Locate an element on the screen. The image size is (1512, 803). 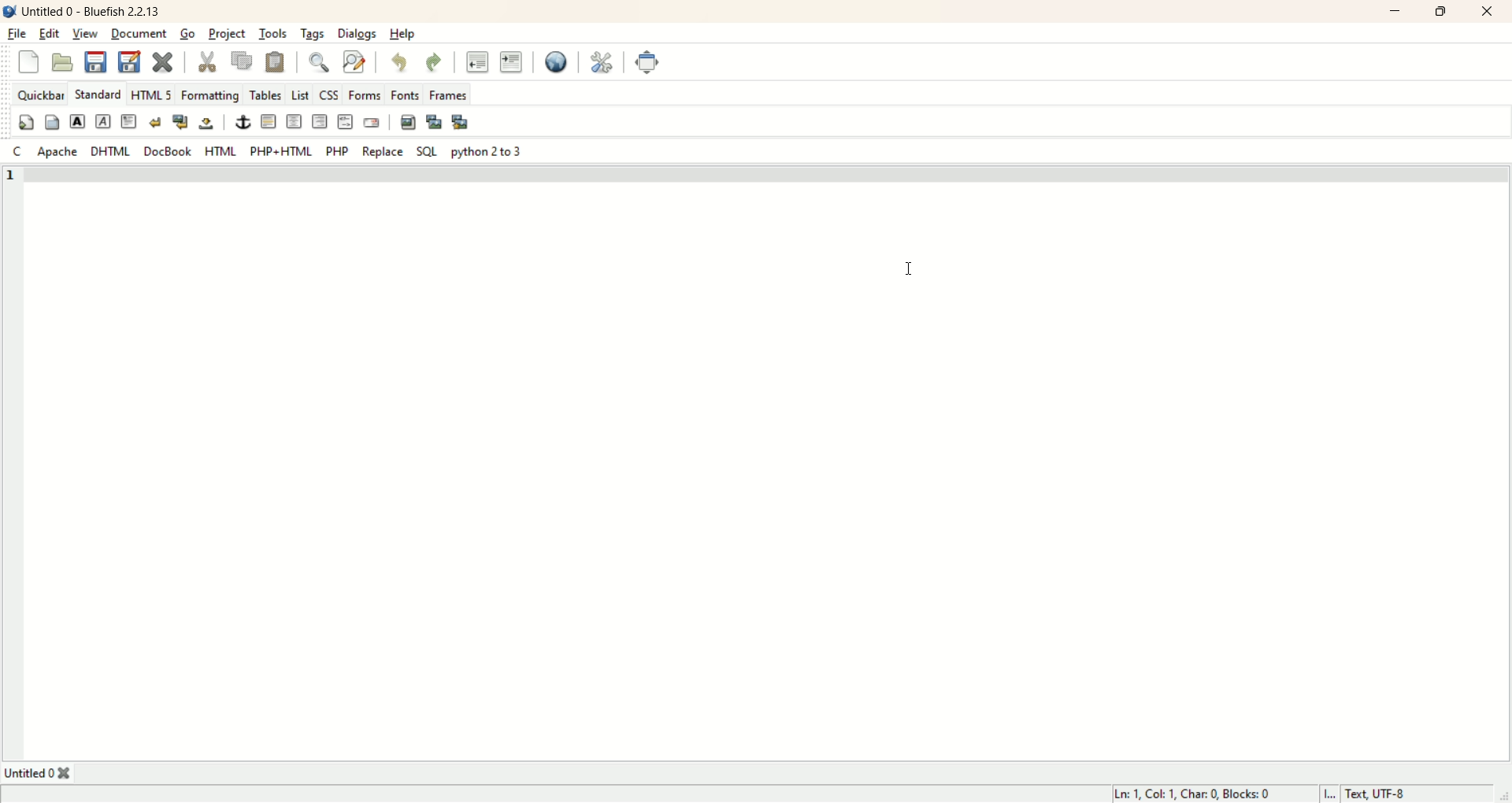
non- breaking space is located at coordinates (204, 124).